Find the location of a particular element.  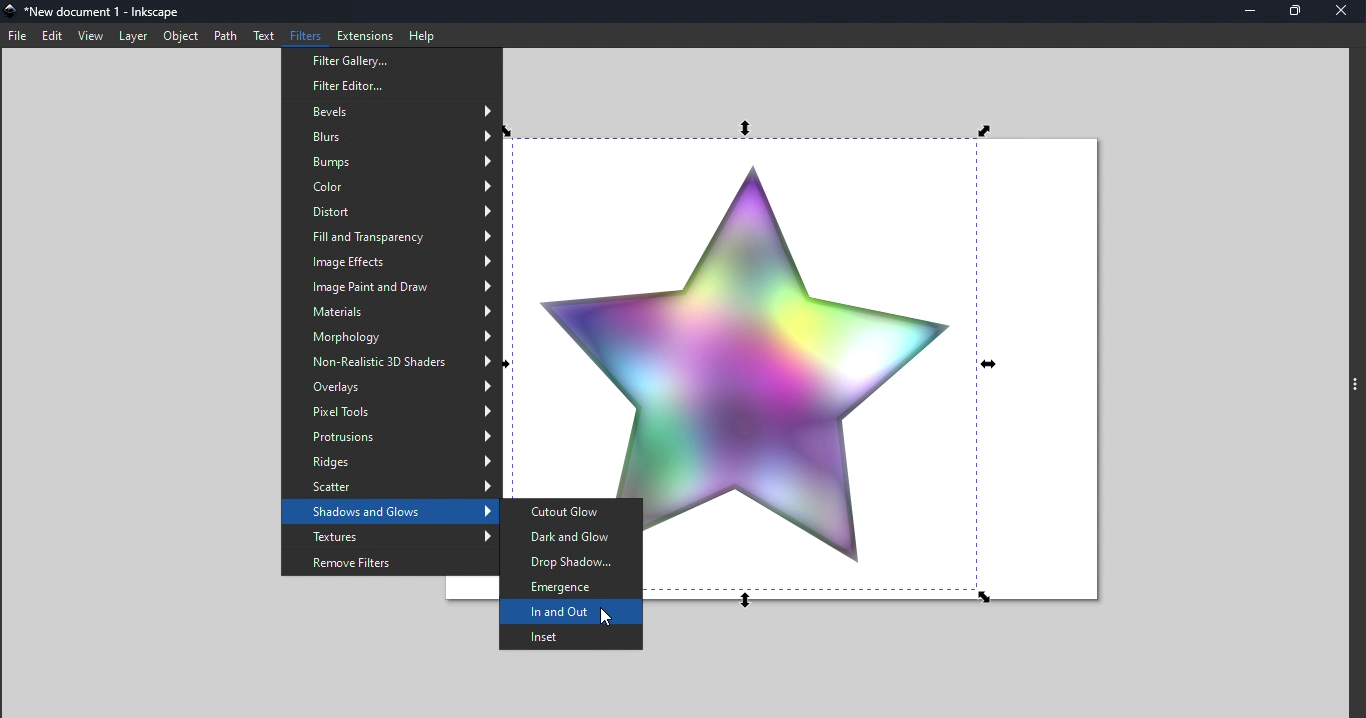

Blurs is located at coordinates (392, 137).